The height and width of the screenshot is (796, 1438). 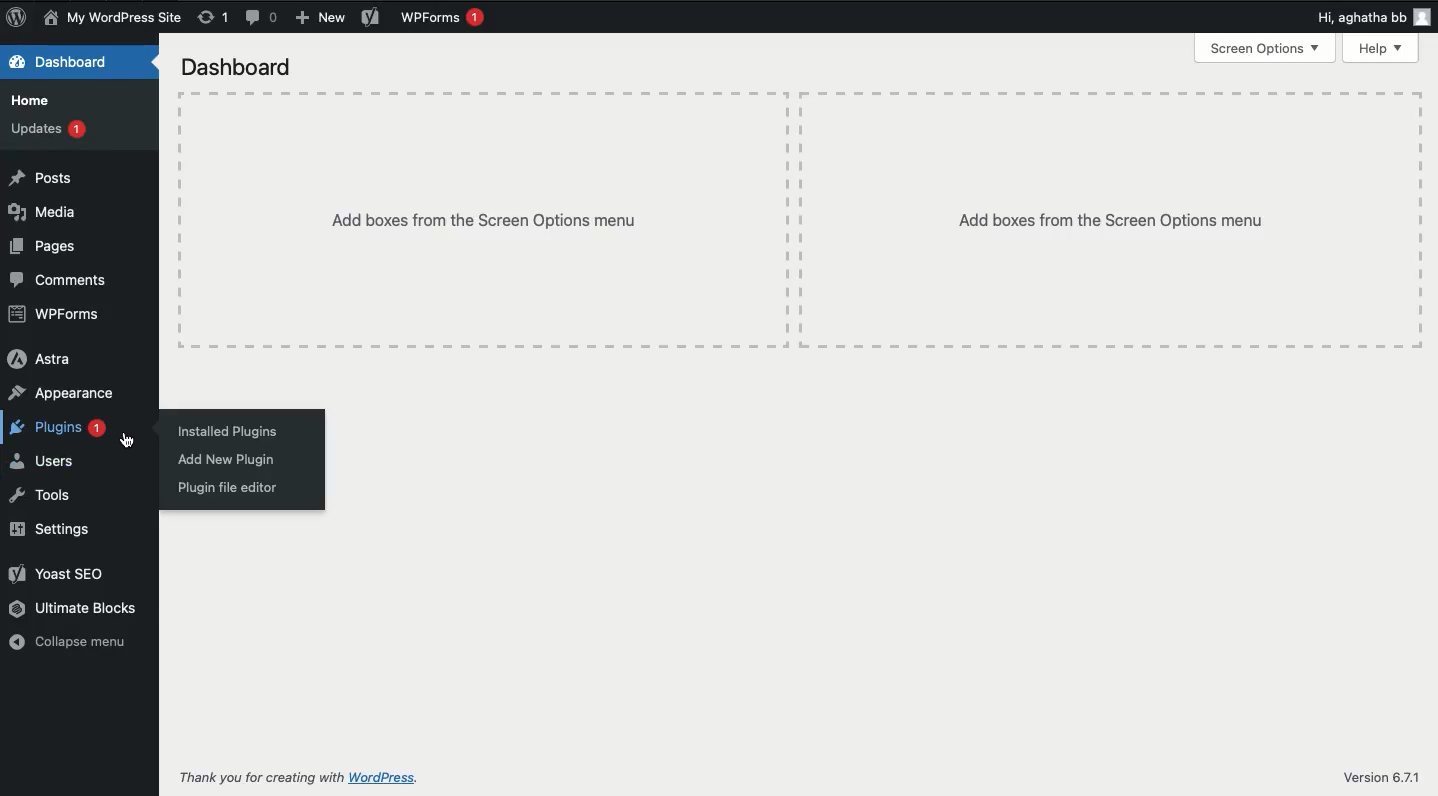 I want to click on Logo, so click(x=17, y=18).